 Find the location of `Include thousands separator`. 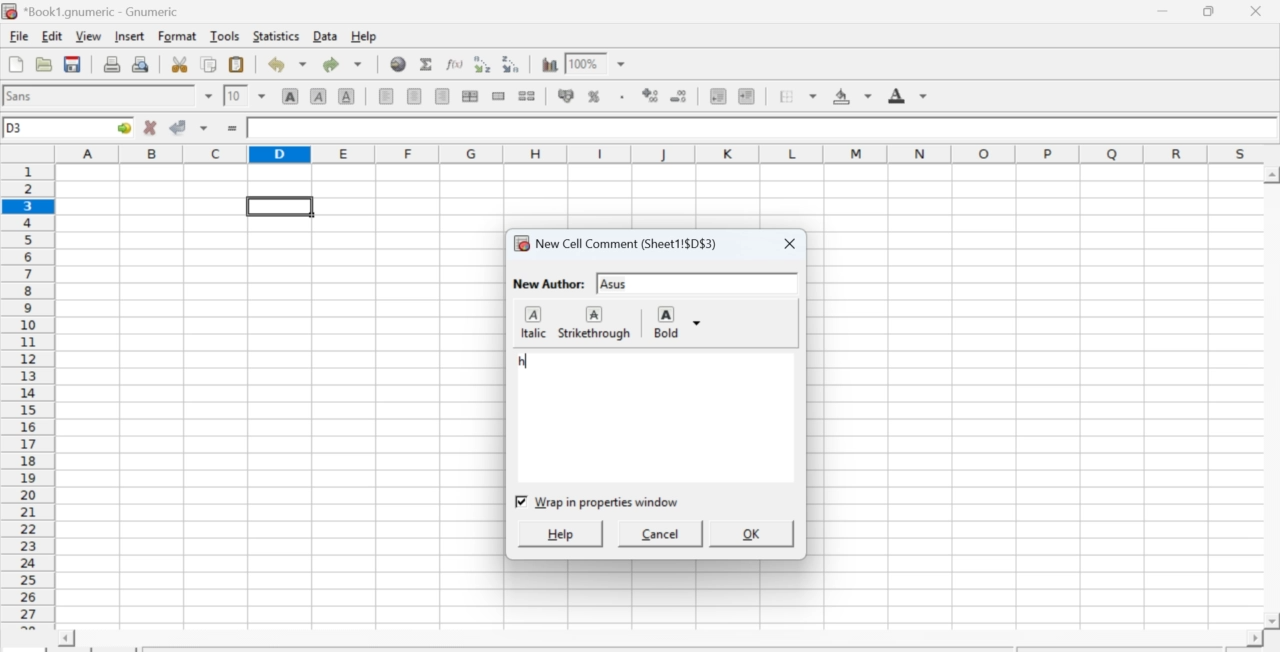

Include thousands separator is located at coordinates (622, 98).